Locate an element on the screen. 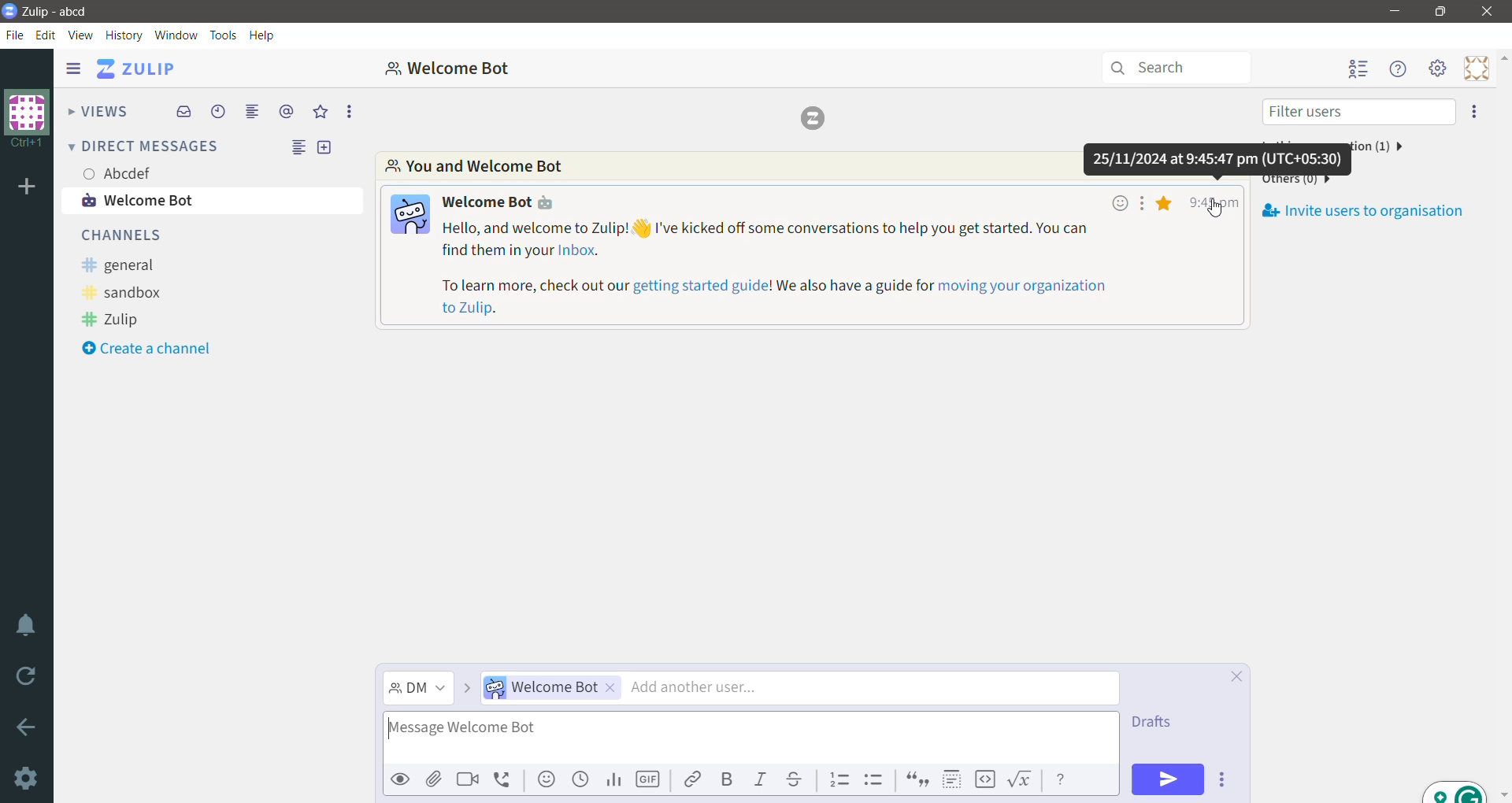 Image resolution: width=1512 pixels, height=803 pixels. Add users is located at coordinates (801, 689).